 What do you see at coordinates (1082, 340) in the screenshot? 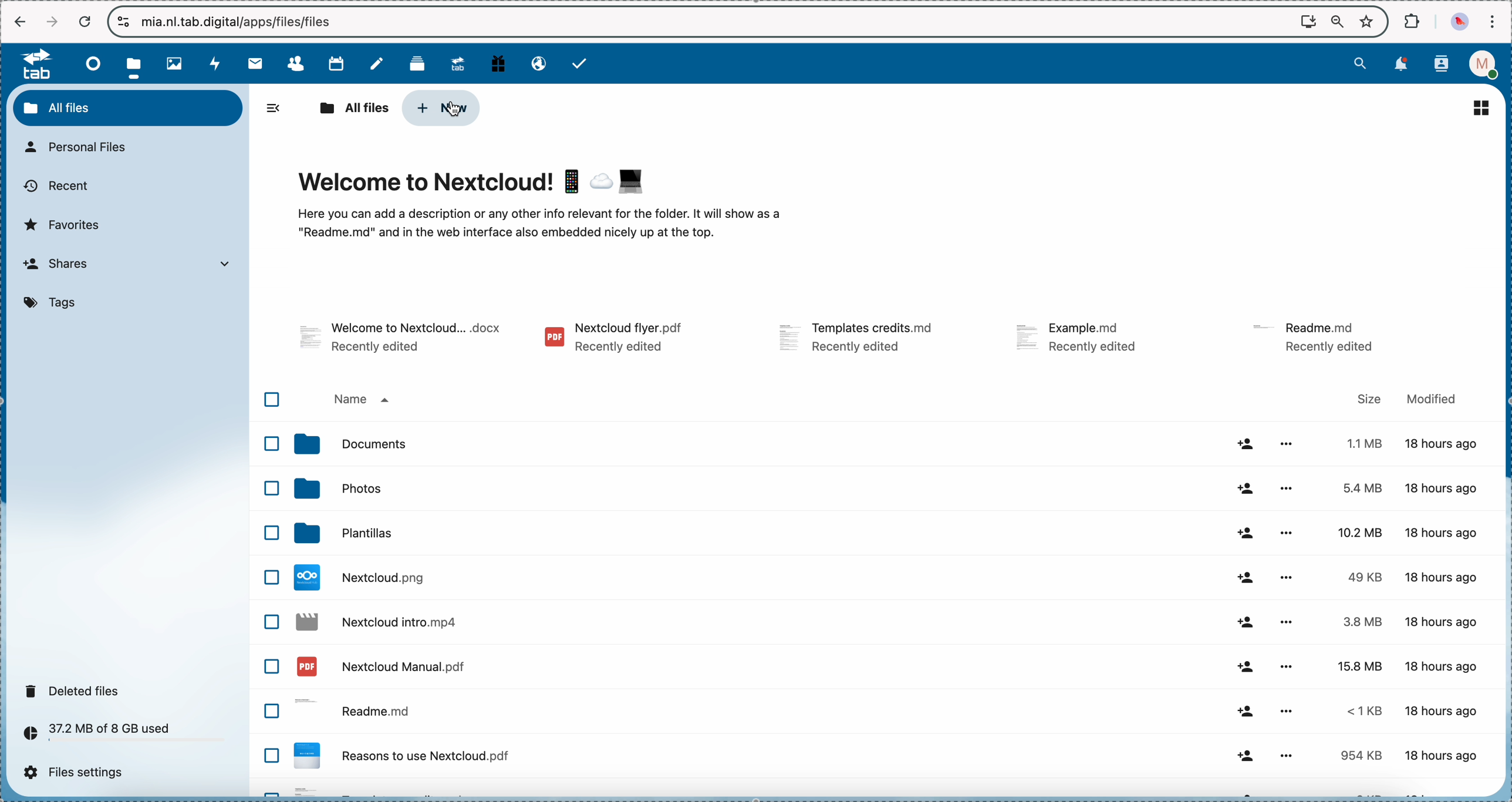
I see `file` at bounding box center [1082, 340].